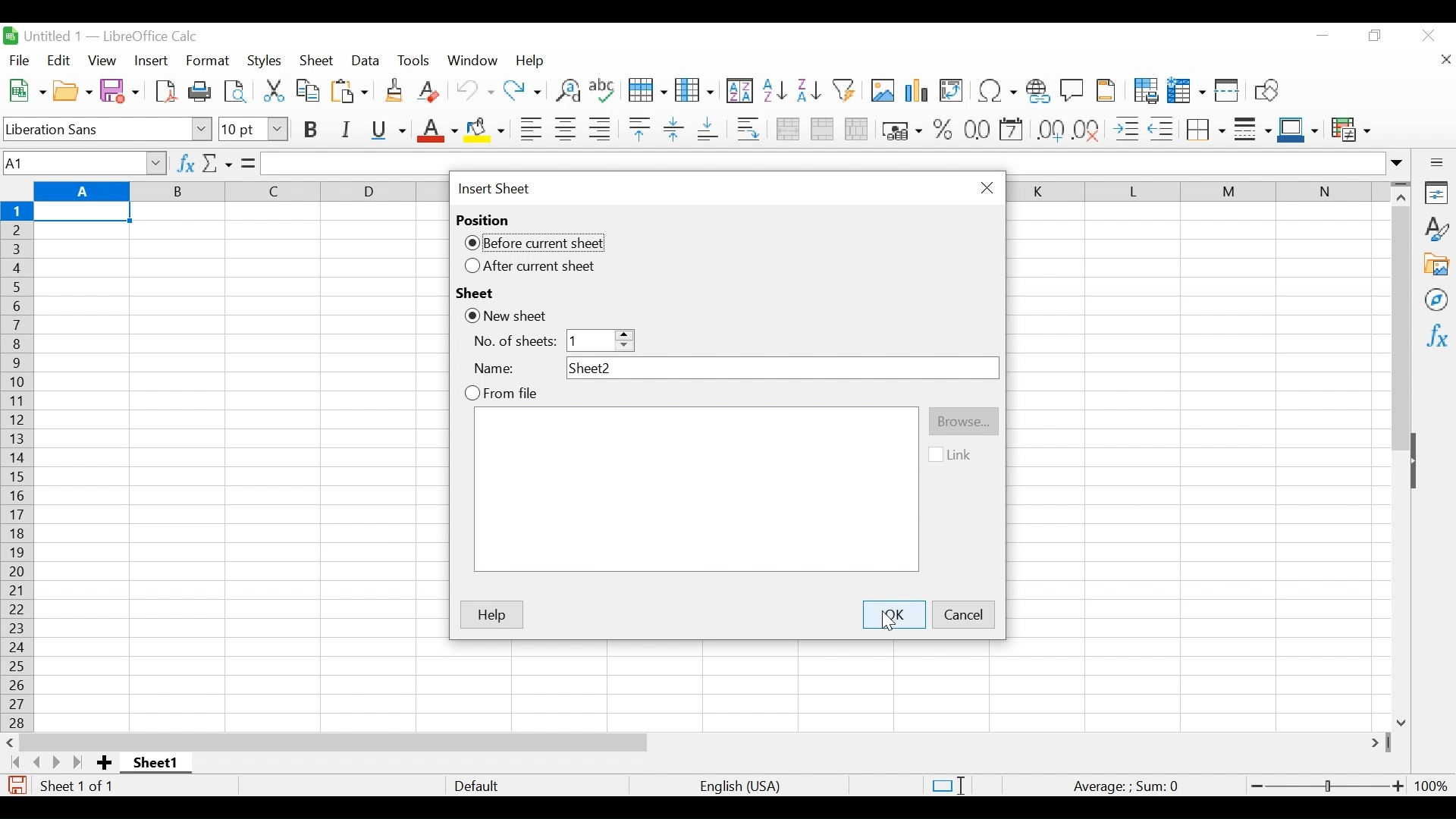 The height and width of the screenshot is (819, 1456). What do you see at coordinates (80, 786) in the screenshot?
I see `Sheet number` at bounding box center [80, 786].